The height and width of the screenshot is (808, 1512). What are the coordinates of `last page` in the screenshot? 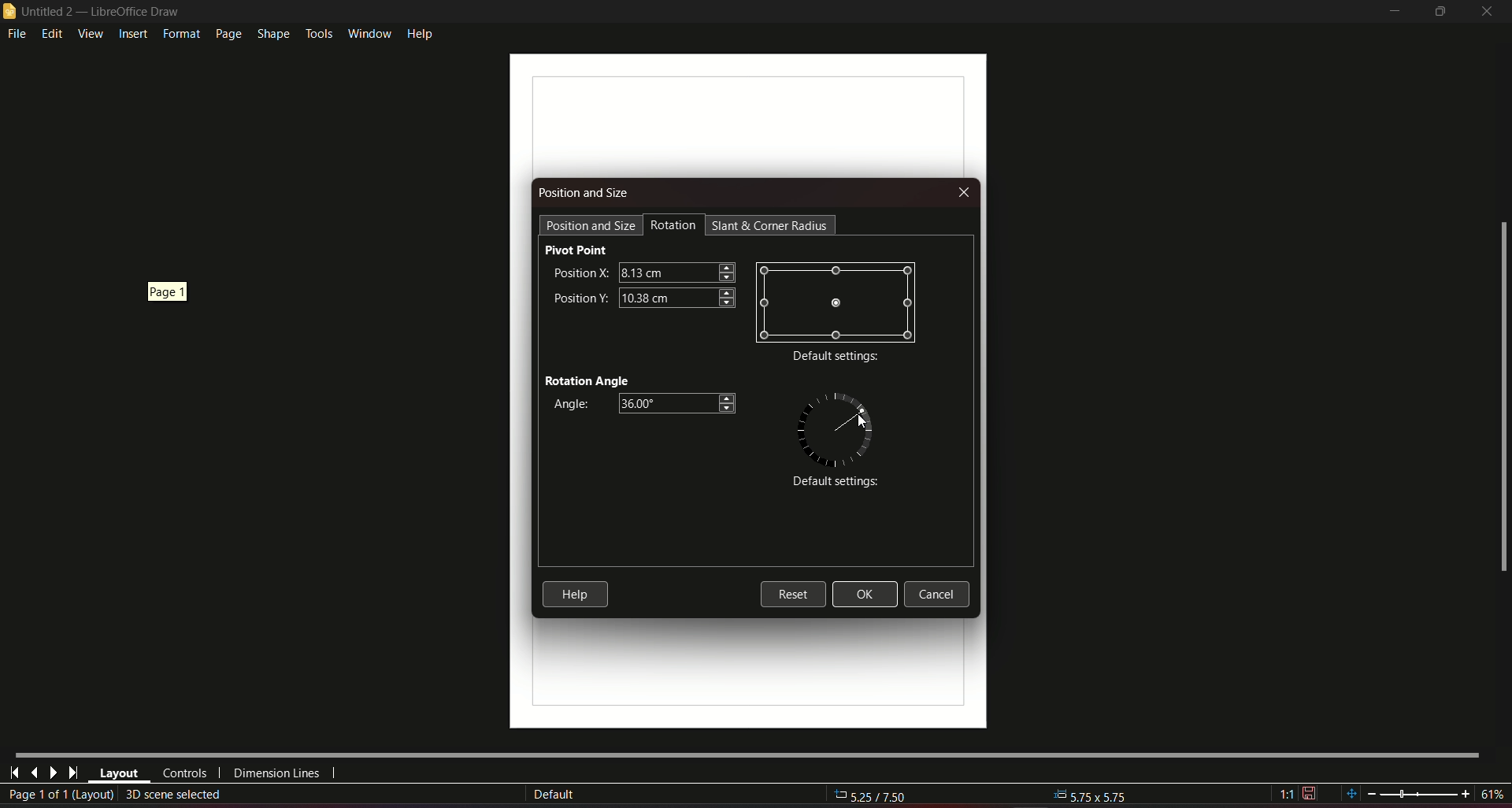 It's located at (72, 773).